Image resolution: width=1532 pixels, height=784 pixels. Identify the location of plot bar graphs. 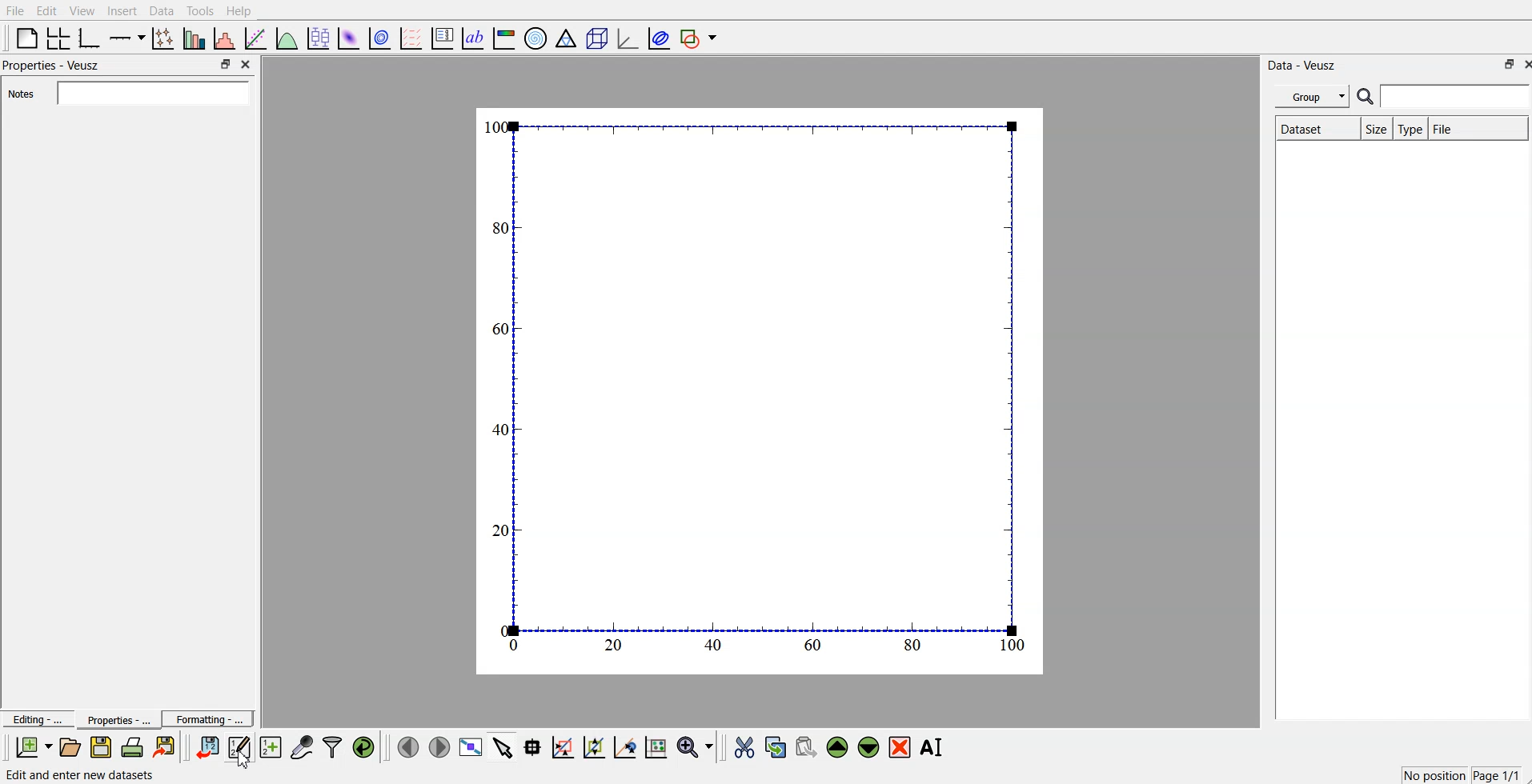
(195, 38).